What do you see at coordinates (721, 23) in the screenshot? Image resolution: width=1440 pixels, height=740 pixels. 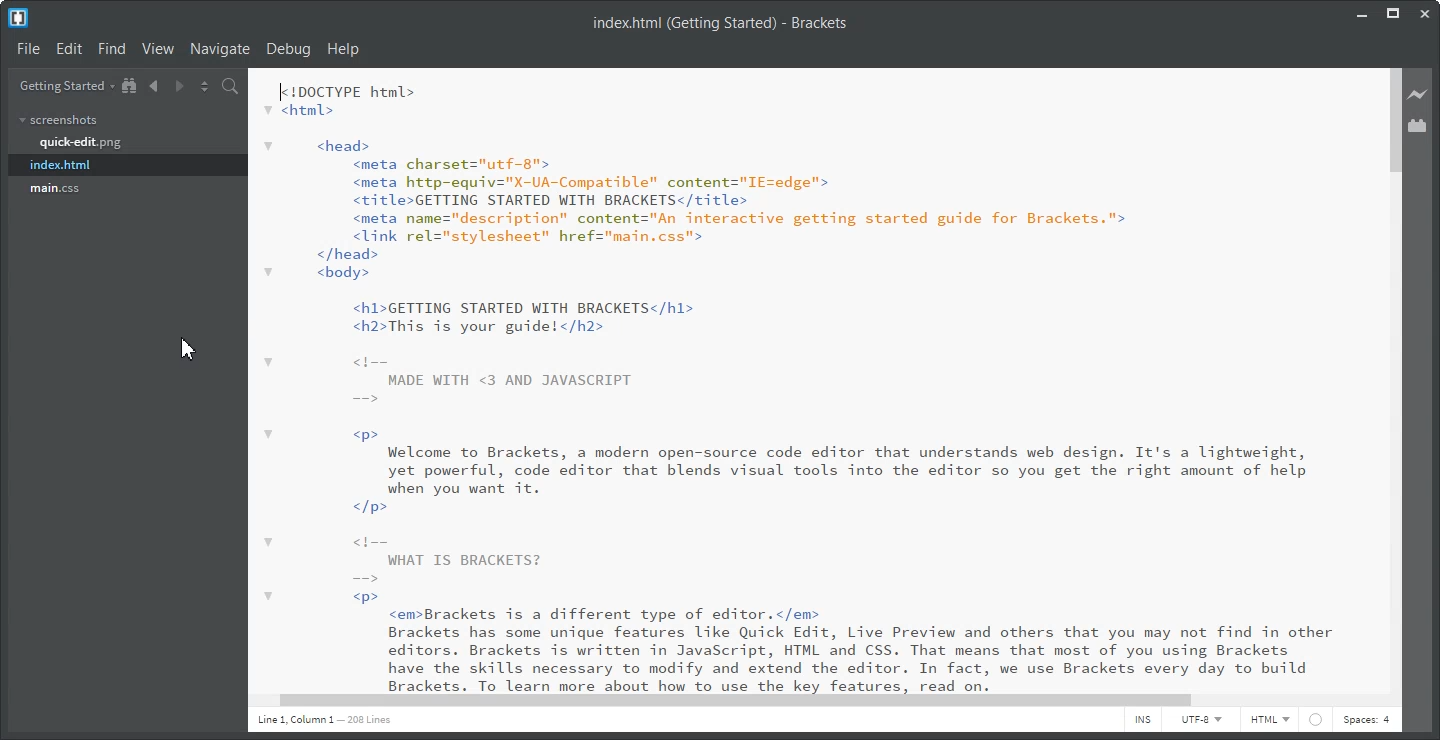 I see `Text 2` at bounding box center [721, 23].